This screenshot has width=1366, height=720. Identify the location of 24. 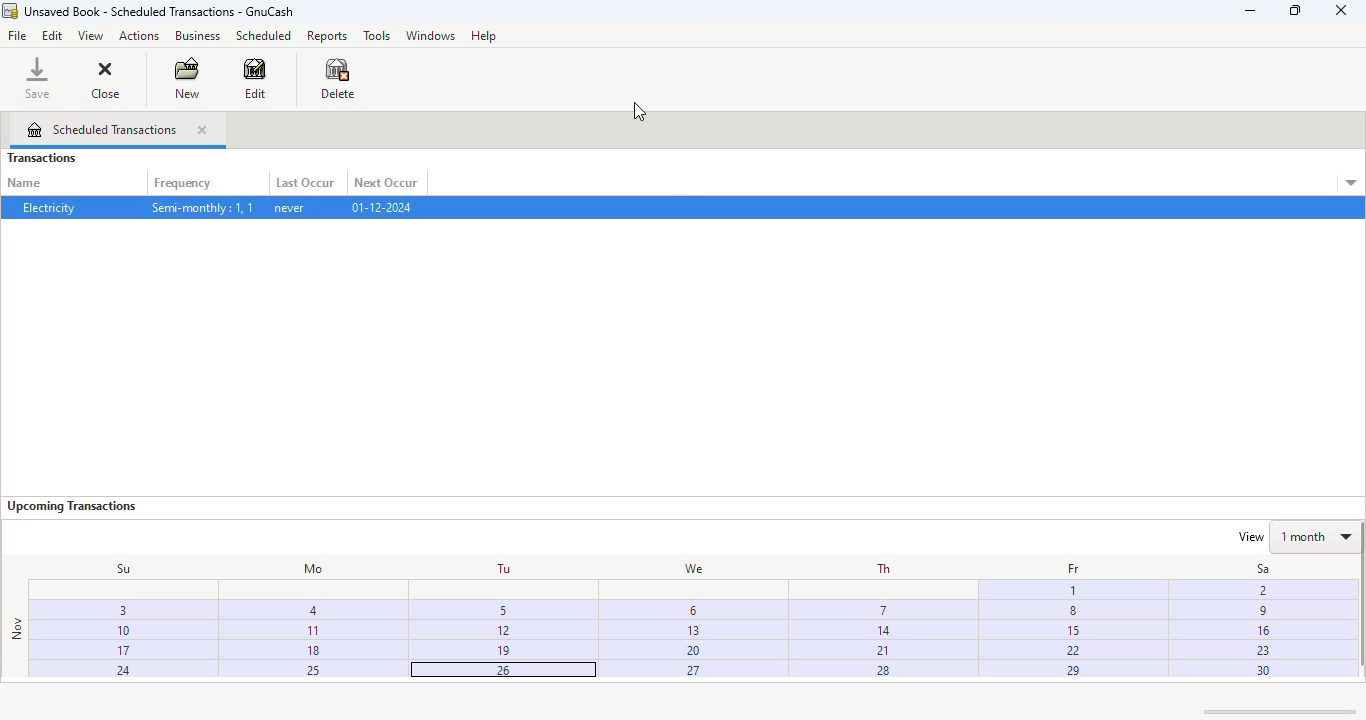
(103, 671).